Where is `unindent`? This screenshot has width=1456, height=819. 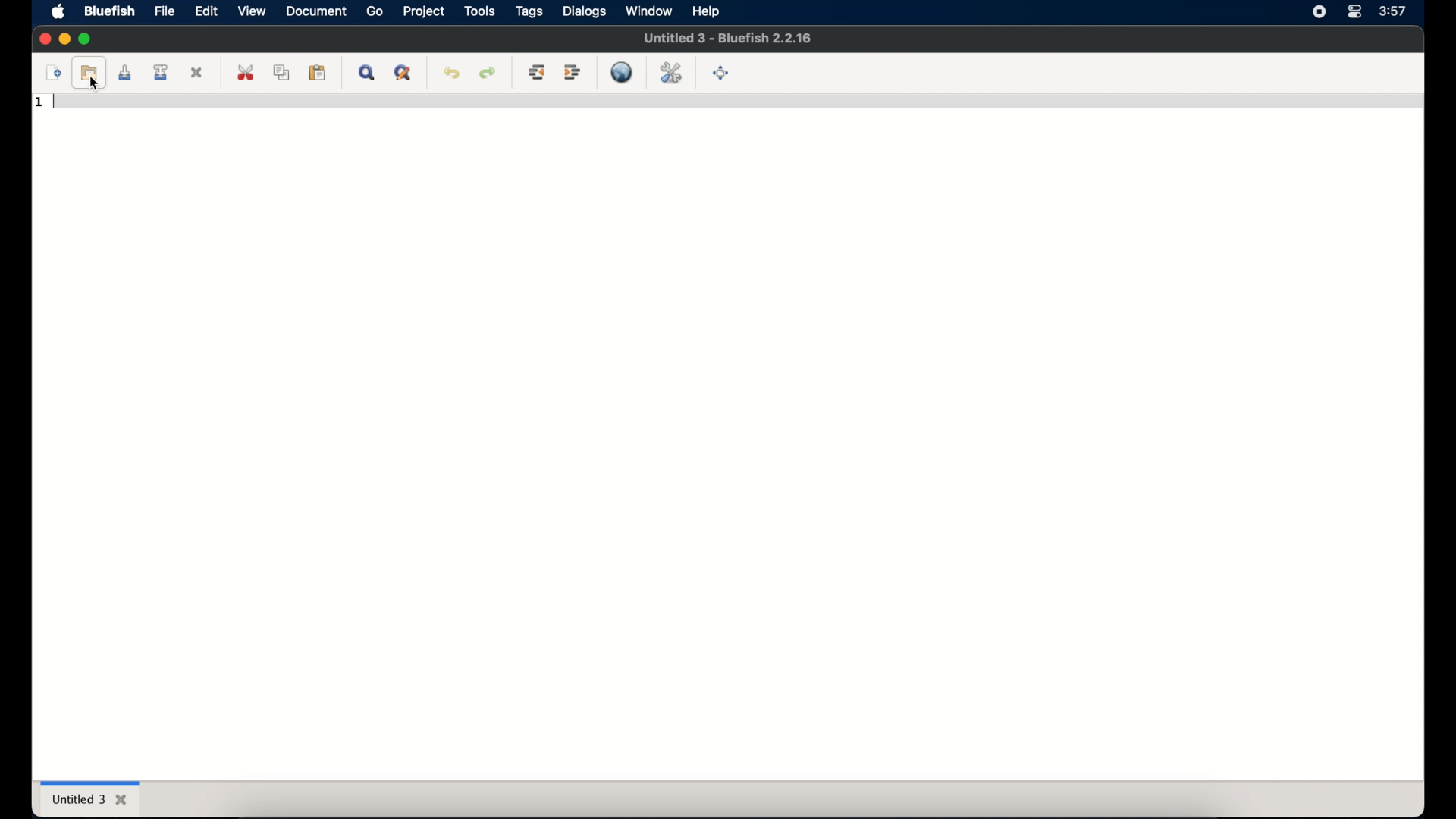
unindent is located at coordinates (537, 74).